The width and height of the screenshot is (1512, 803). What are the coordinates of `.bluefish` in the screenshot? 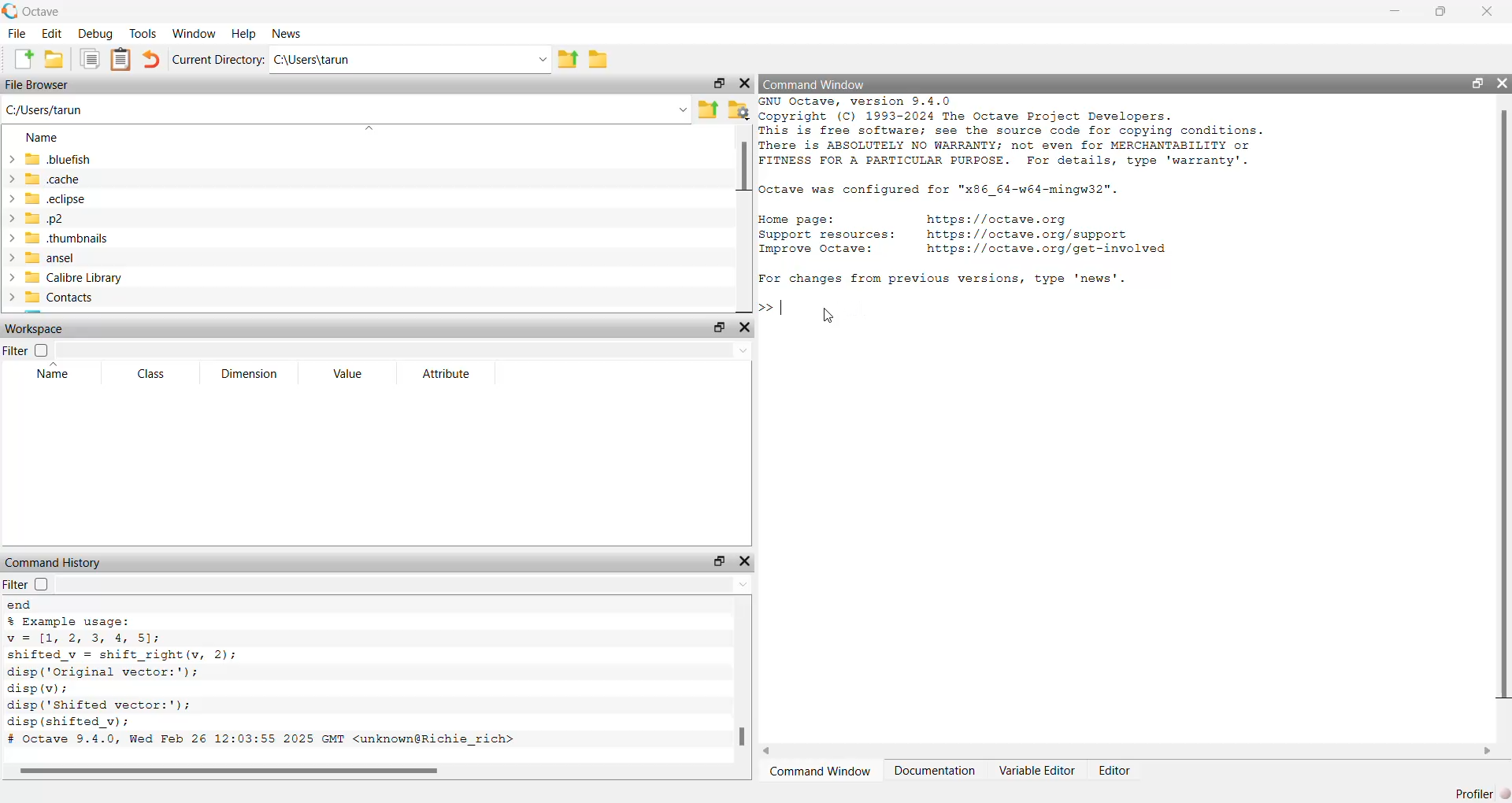 It's located at (107, 160).